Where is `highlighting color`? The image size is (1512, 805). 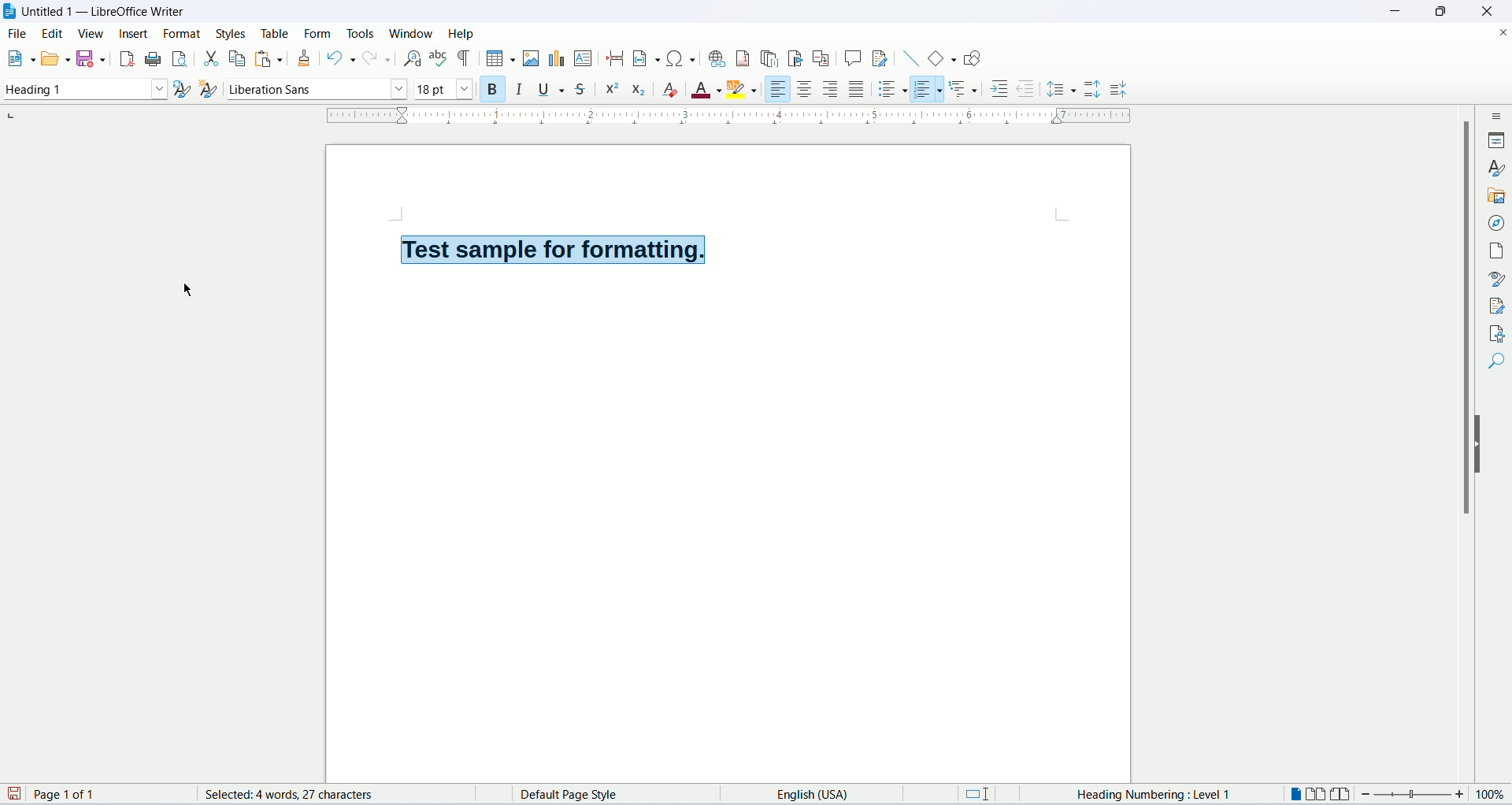 highlighting color is located at coordinates (747, 91).